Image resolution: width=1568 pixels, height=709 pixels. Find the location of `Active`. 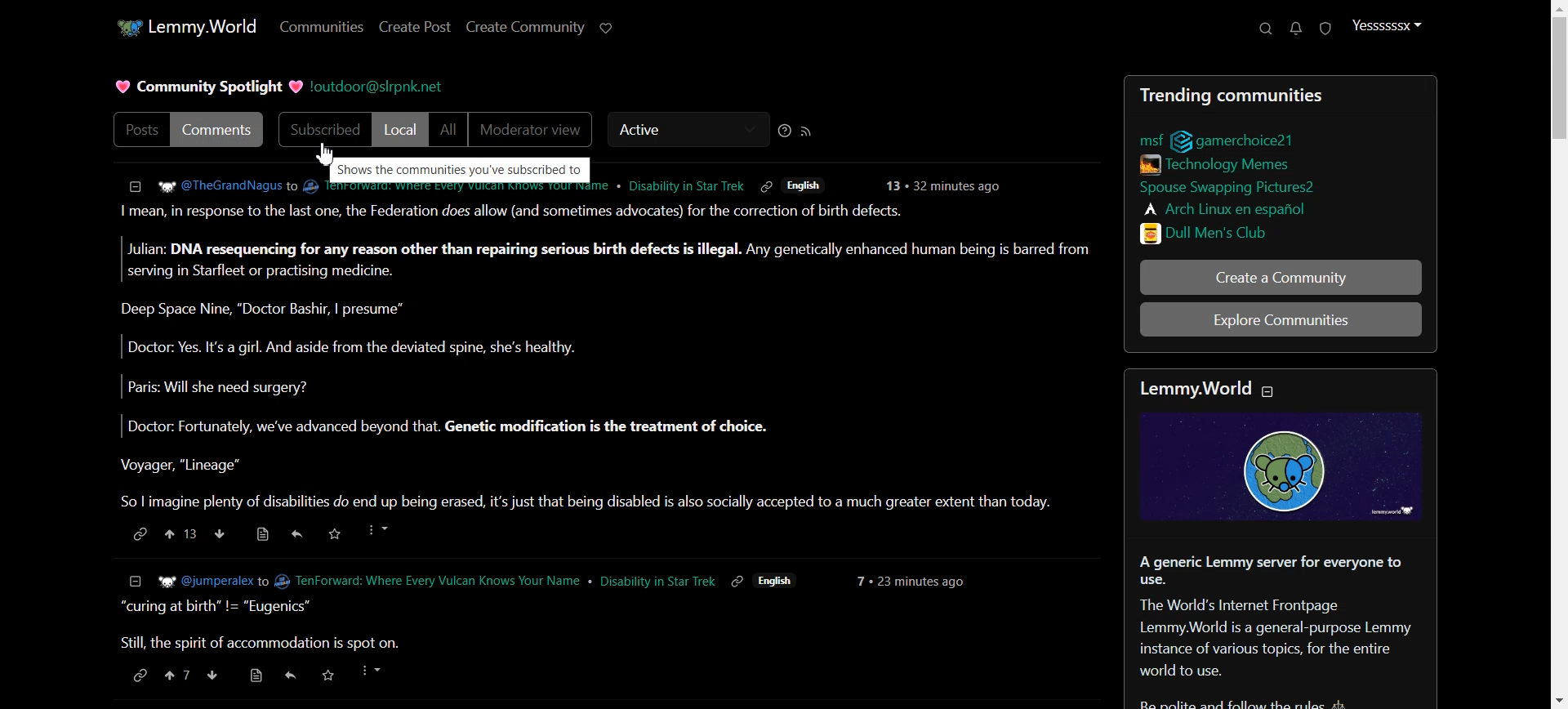

Active is located at coordinates (684, 131).